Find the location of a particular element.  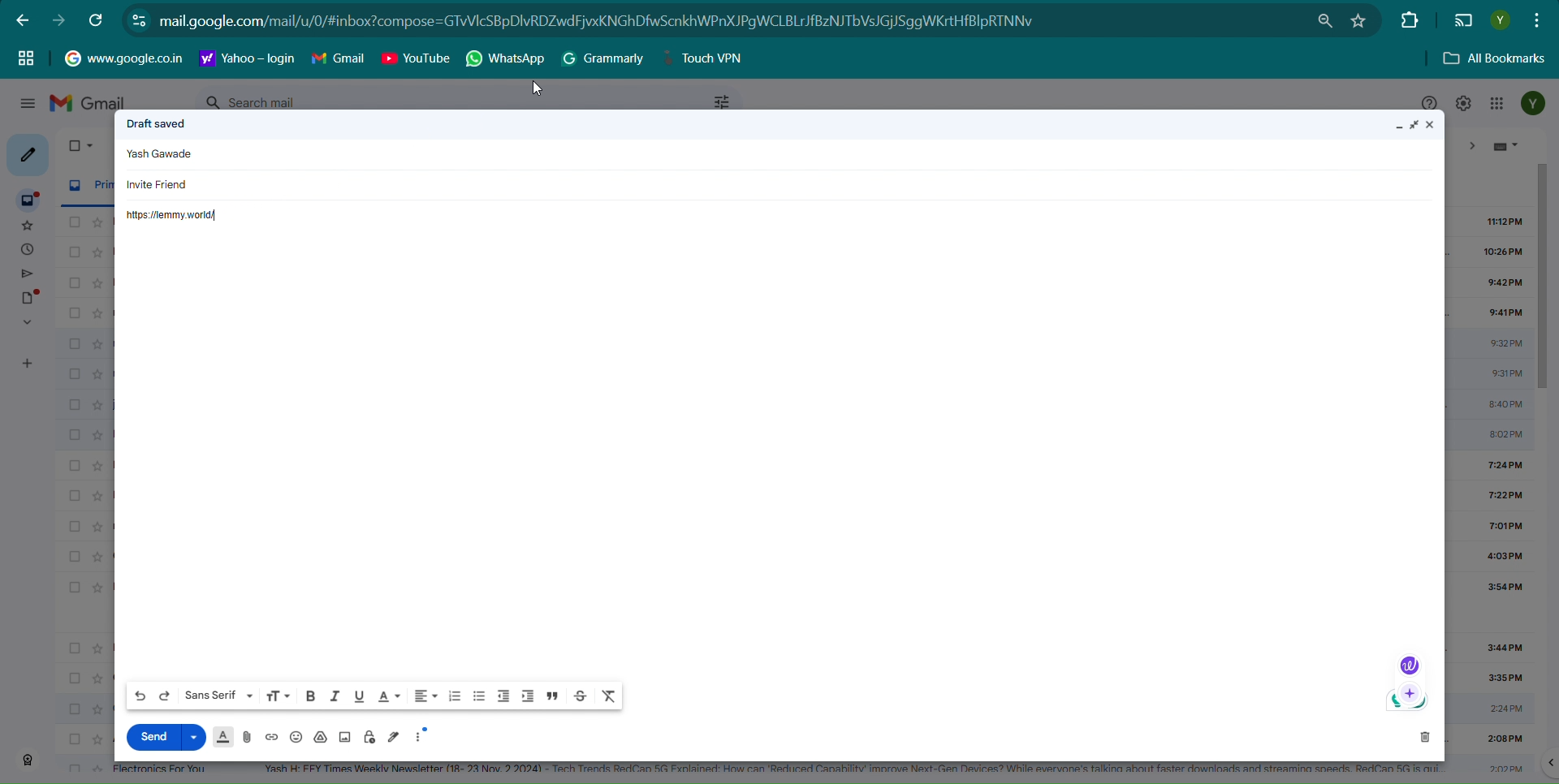

Insert Link is located at coordinates (270, 737).